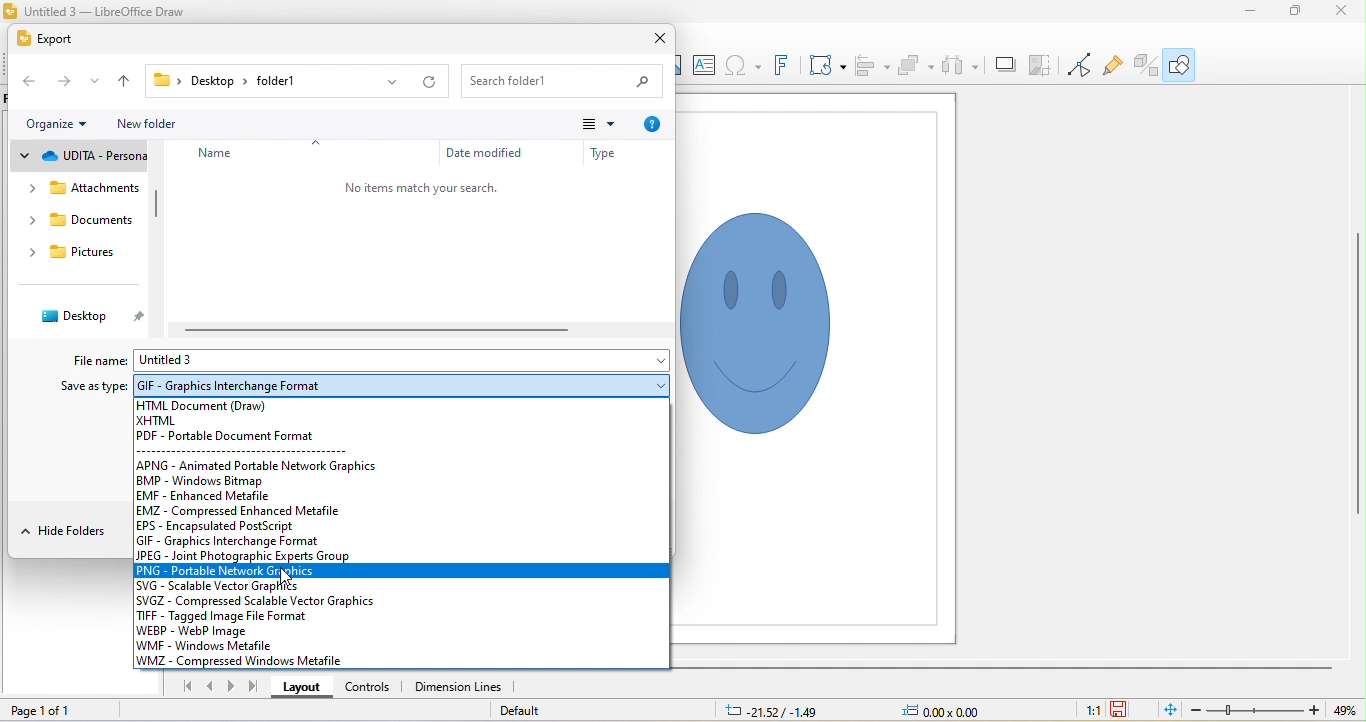  Describe the element at coordinates (279, 541) in the screenshot. I see `GIF-Graphics interchange format` at that location.